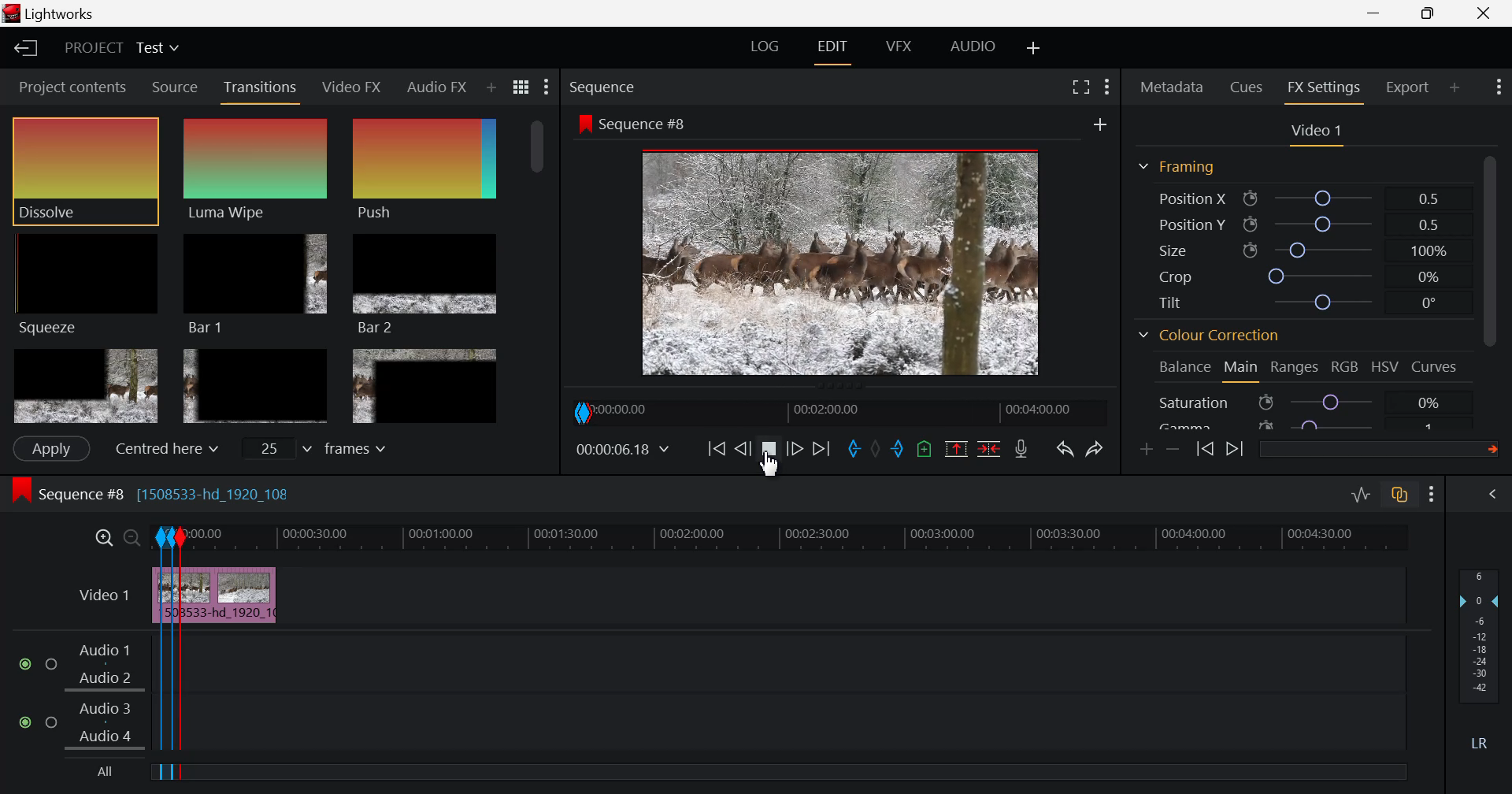 This screenshot has width=1512, height=794. I want to click on Metadata Tab, so click(1172, 87).